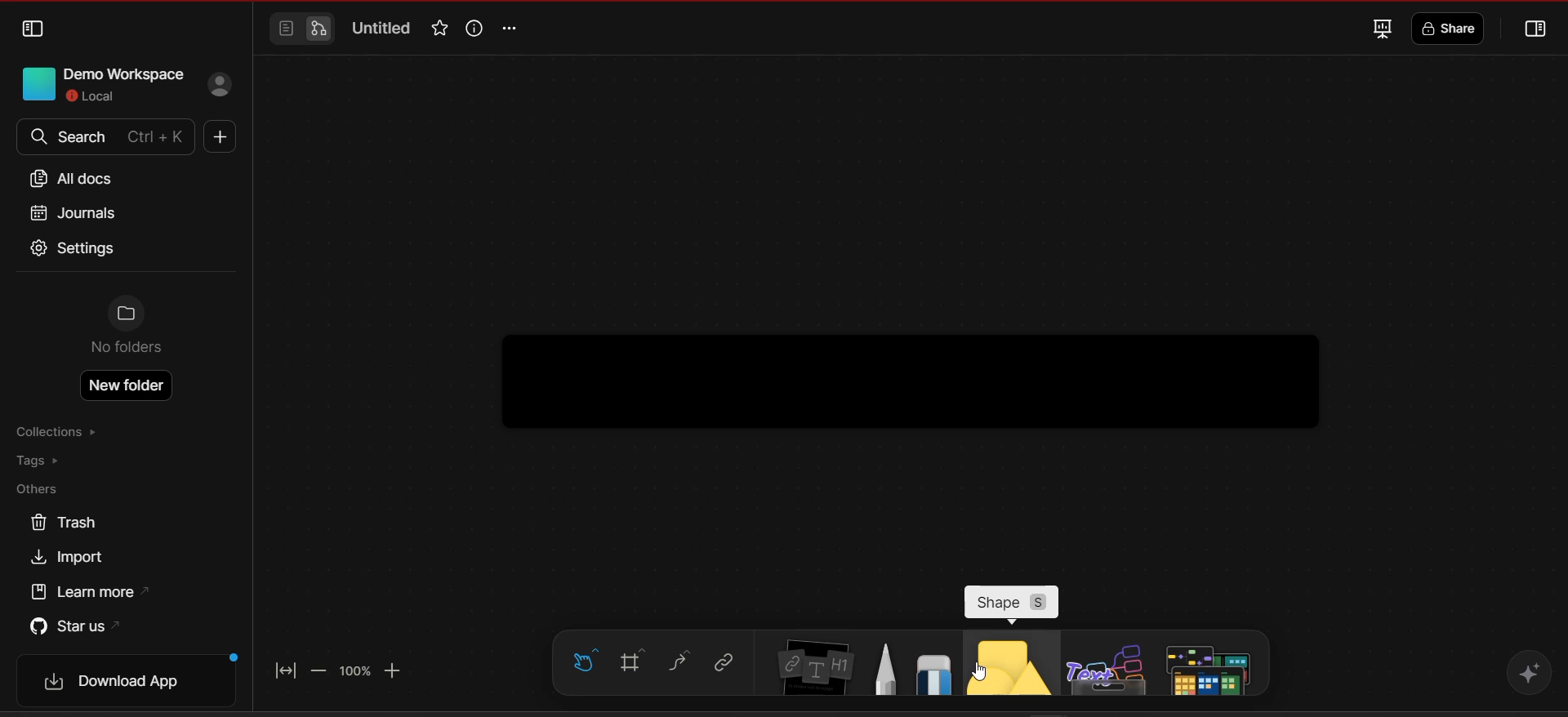 The image size is (1568, 717). What do you see at coordinates (319, 670) in the screenshot?
I see `zoom out` at bounding box center [319, 670].